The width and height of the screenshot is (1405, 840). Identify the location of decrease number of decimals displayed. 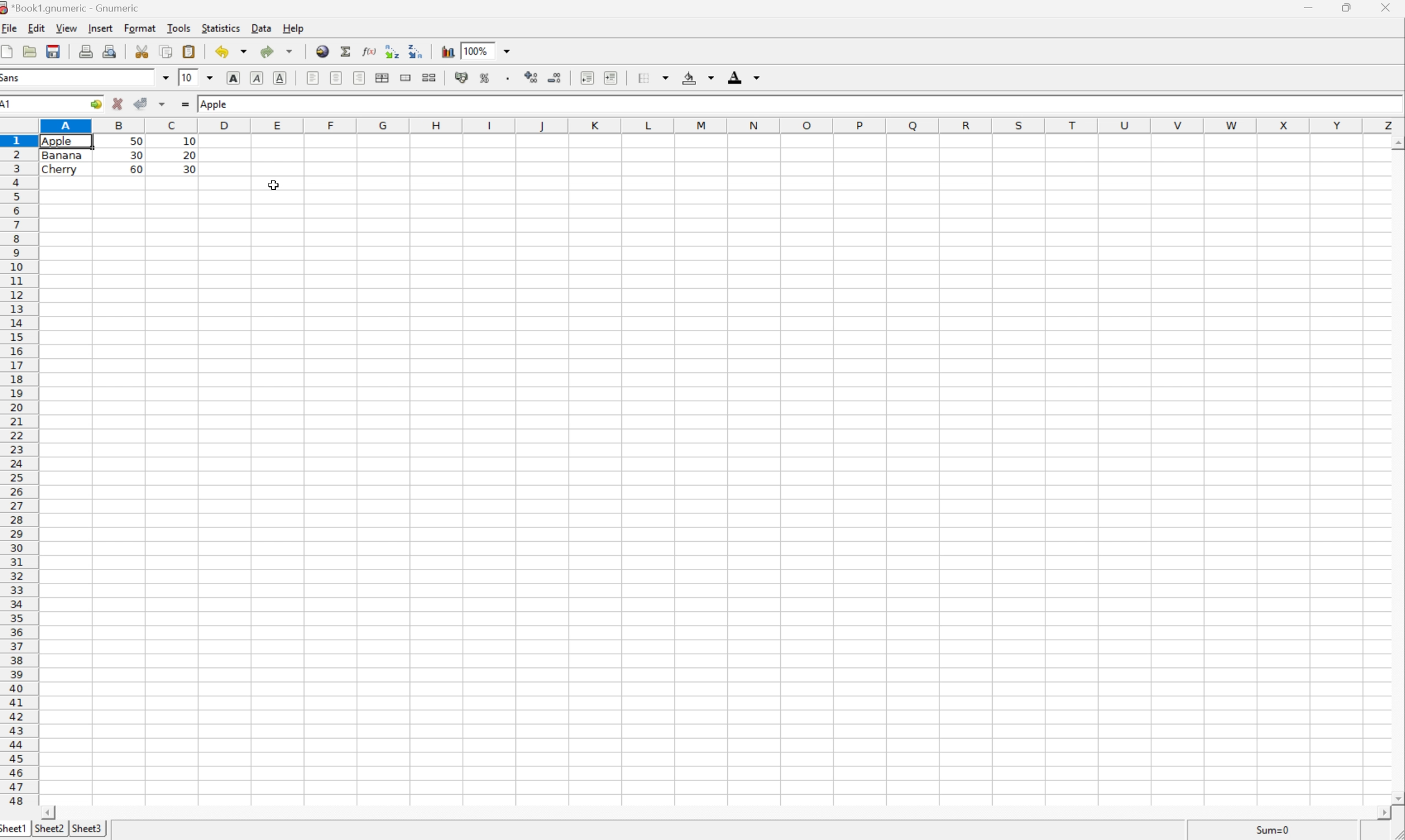
(554, 77).